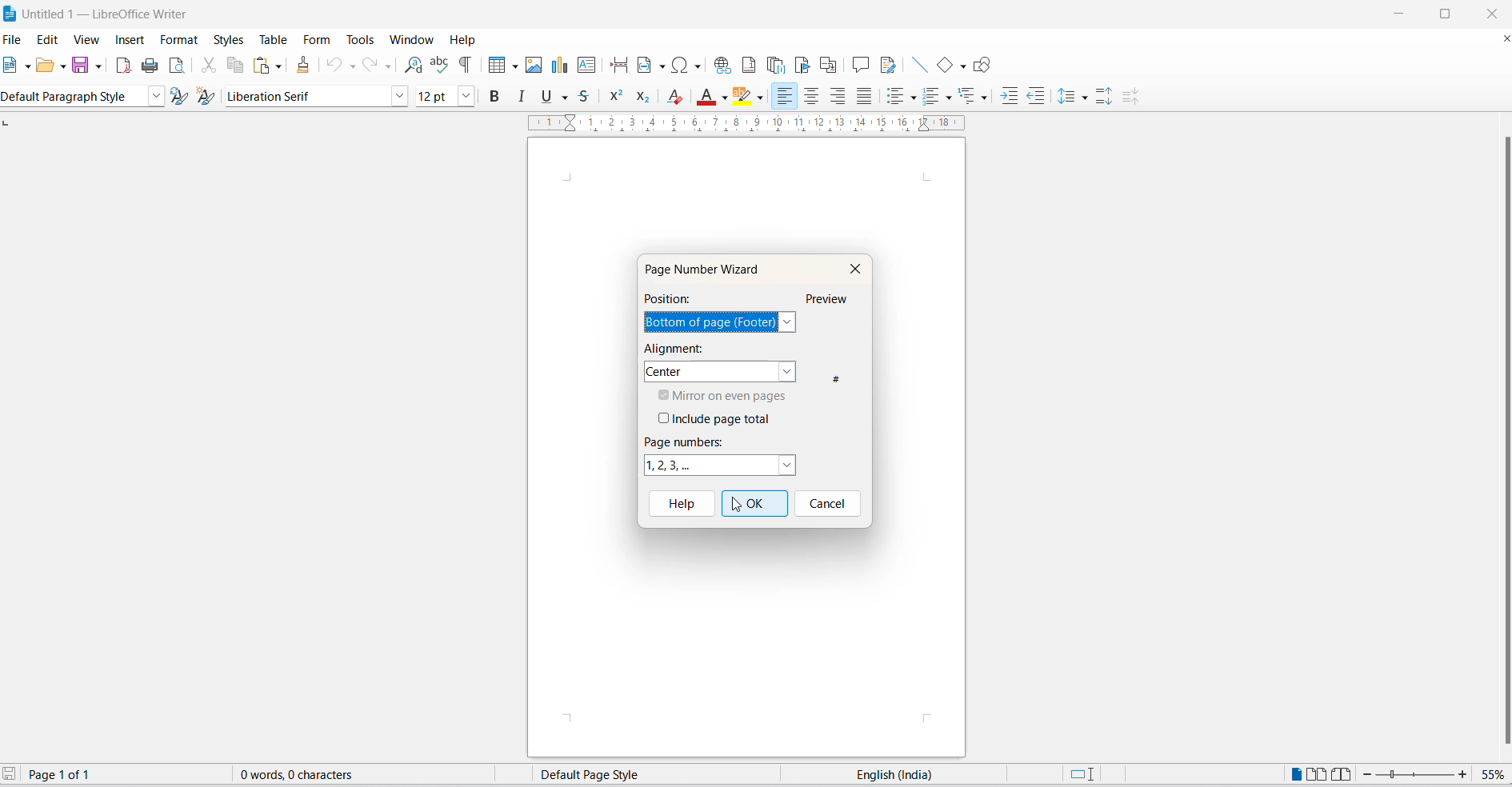  What do you see at coordinates (1068, 97) in the screenshot?
I see `line spacing` at bounding box center [1068, 97].